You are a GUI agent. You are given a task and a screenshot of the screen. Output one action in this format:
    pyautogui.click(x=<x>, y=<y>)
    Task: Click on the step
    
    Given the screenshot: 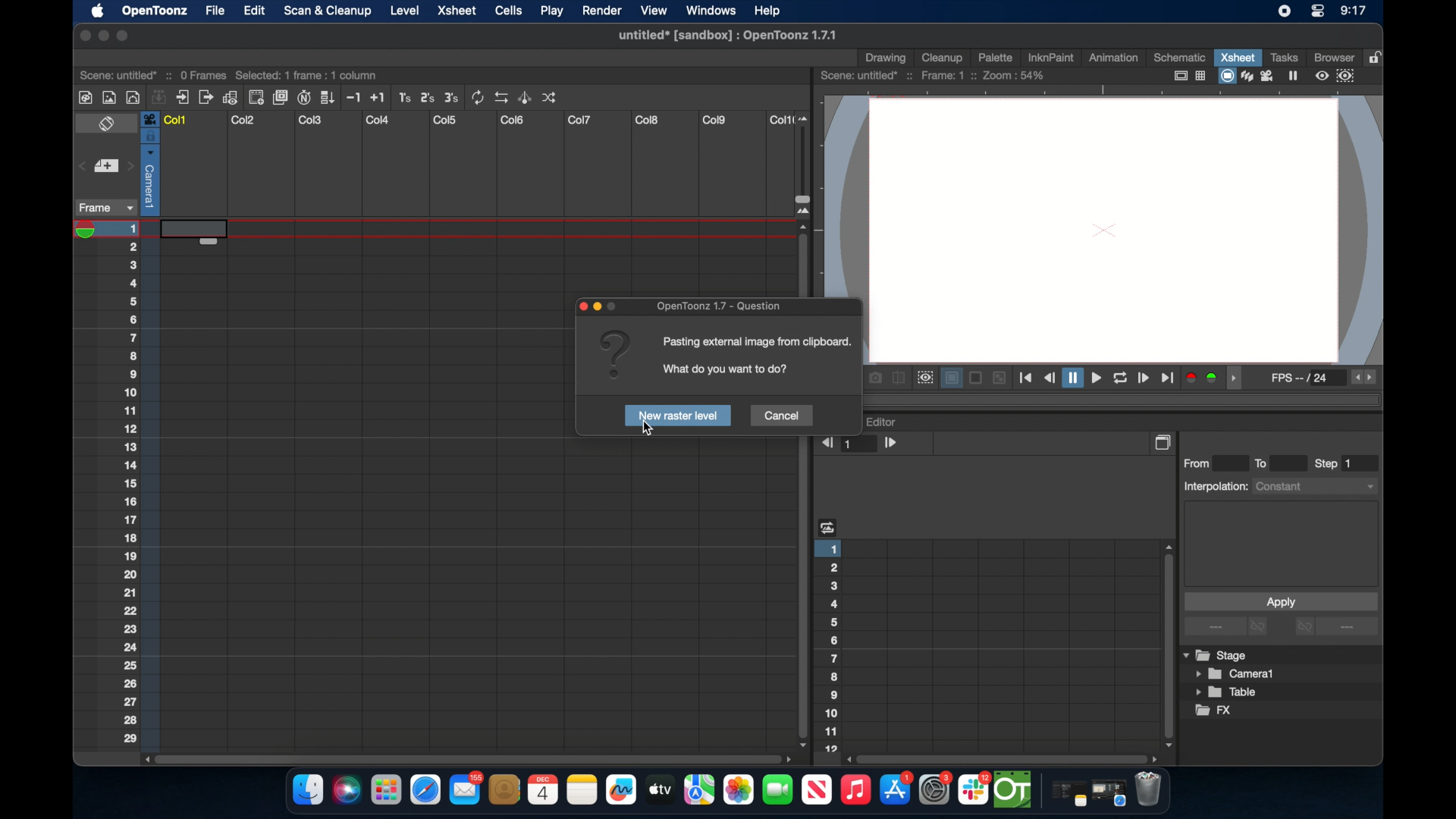 What is the action you would take?
    pyautogui.click(x=1335, y=463)
    